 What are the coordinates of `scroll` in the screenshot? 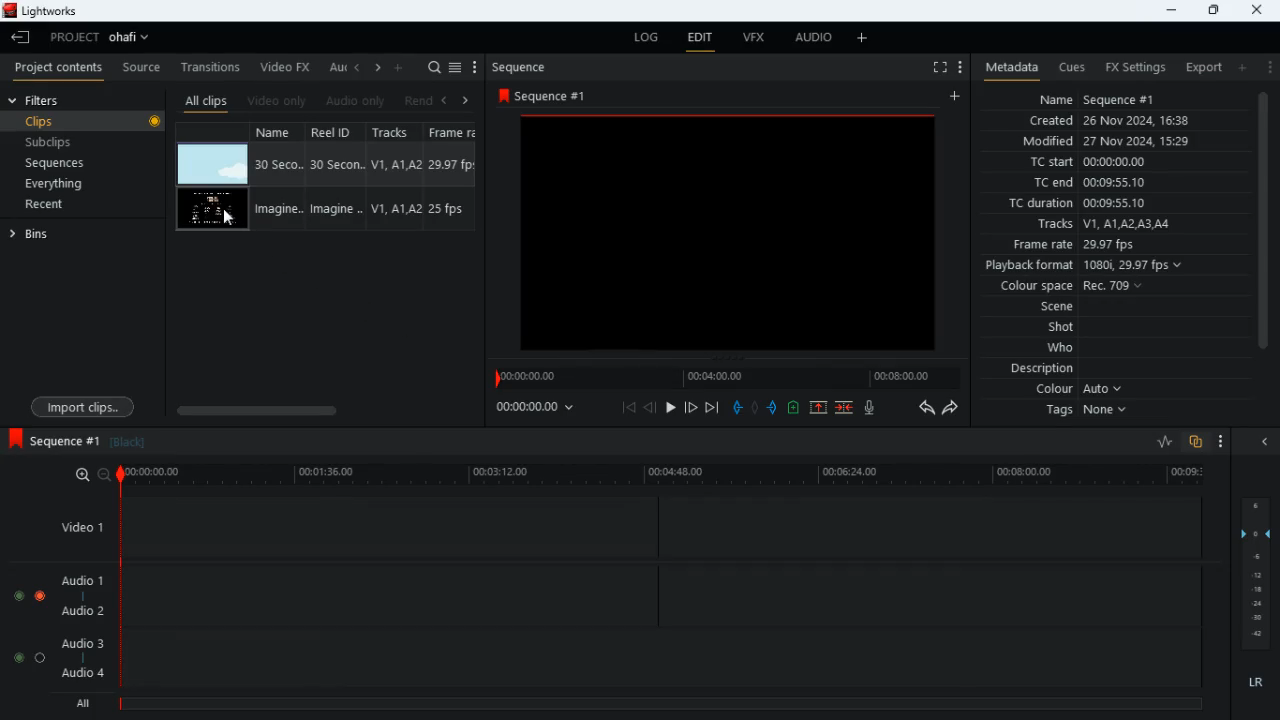 It's located at (1262, 231).